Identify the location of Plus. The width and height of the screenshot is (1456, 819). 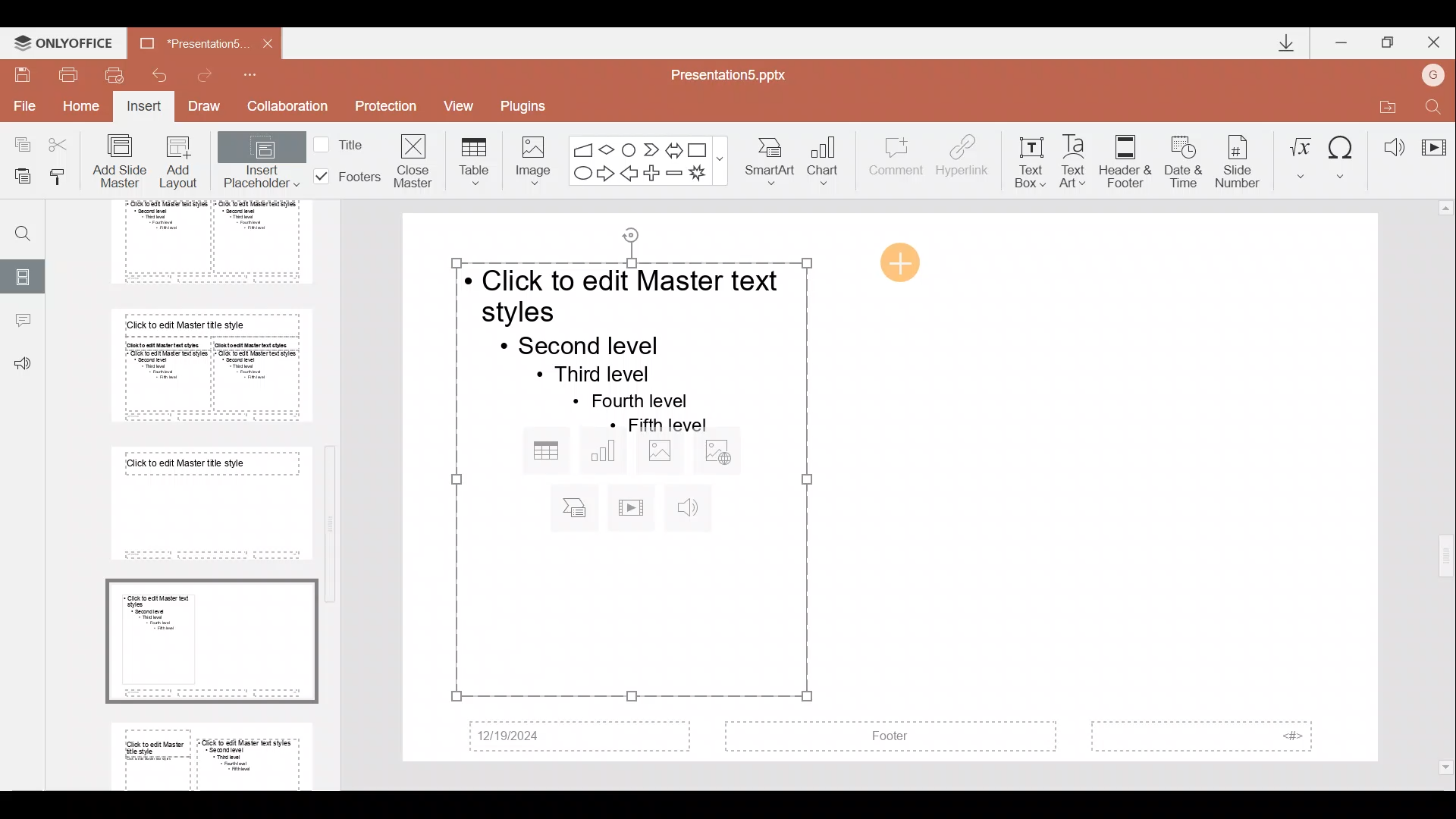
(654, 171).